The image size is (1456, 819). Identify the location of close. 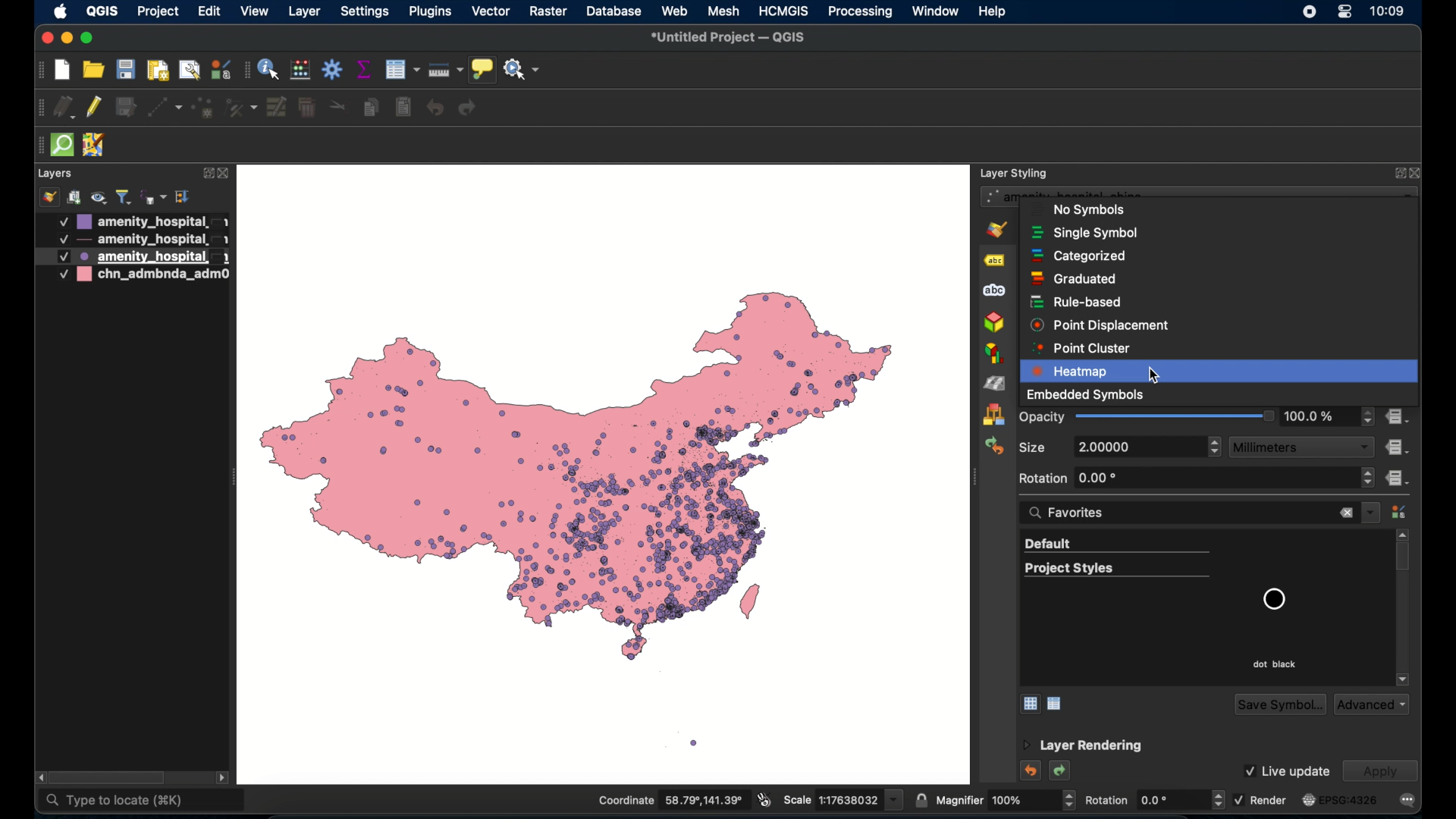
(1346, 514).